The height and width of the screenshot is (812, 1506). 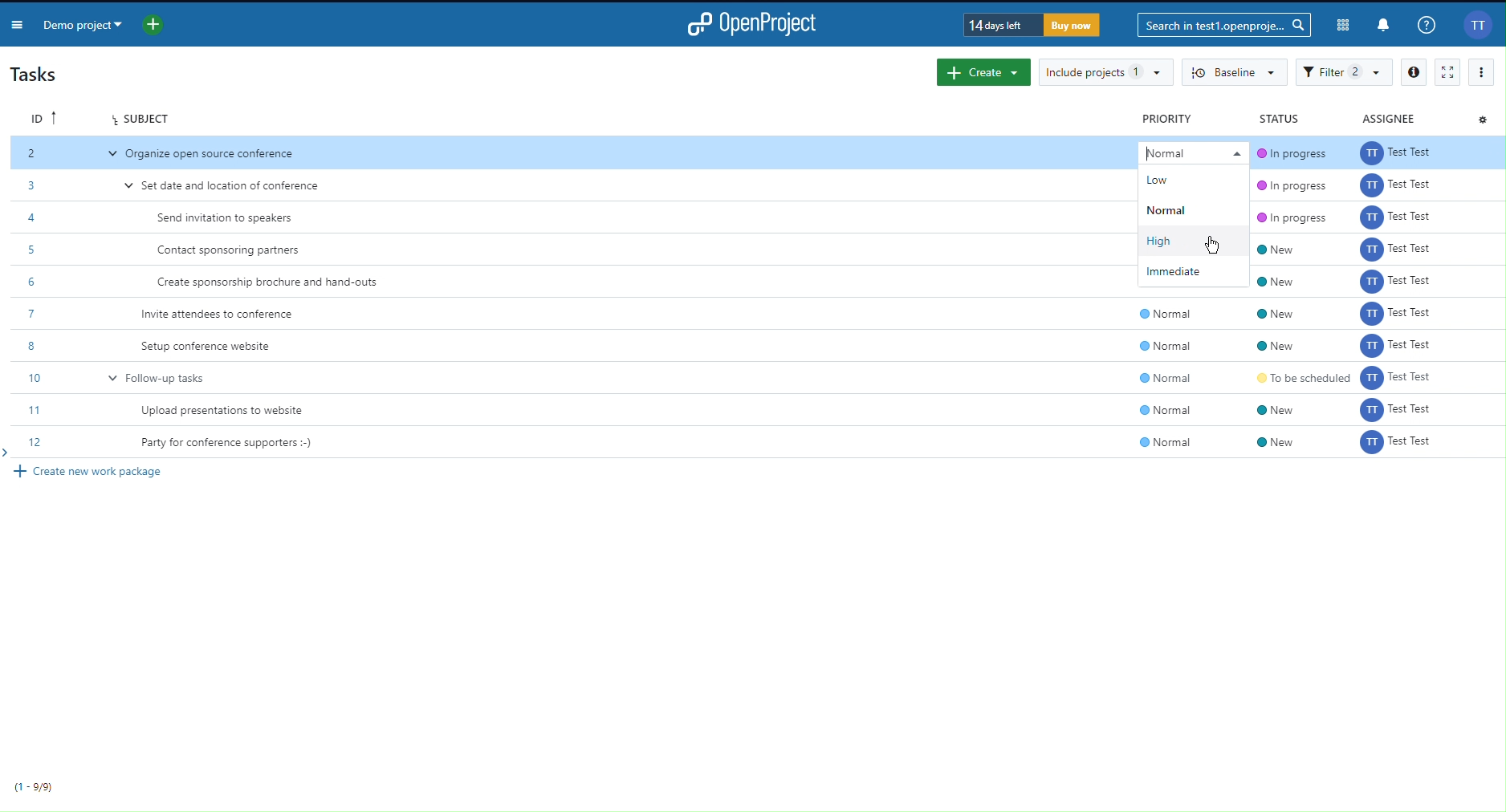 I want to click on Include projects, so click(x=1105, y=72).